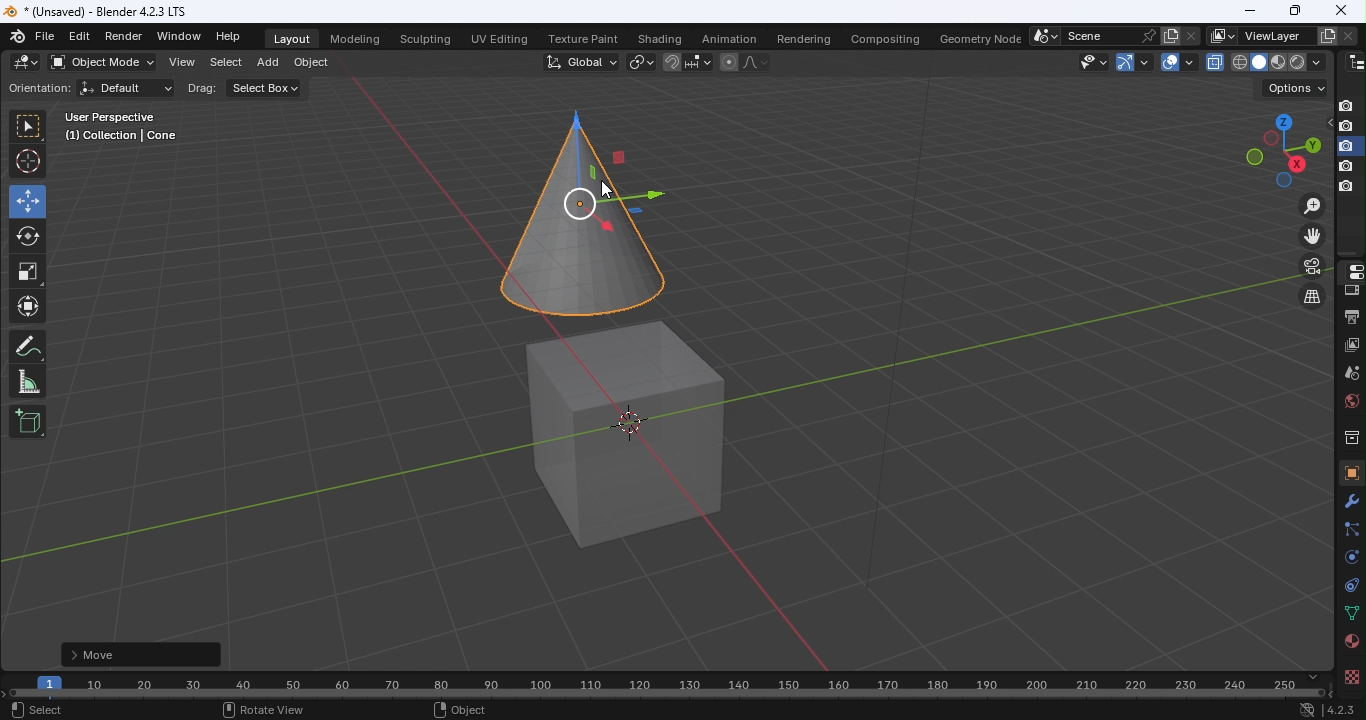  Describe the element at coordinates (1270, 139) in the screenshot. I see `Rotate the view` at that location.